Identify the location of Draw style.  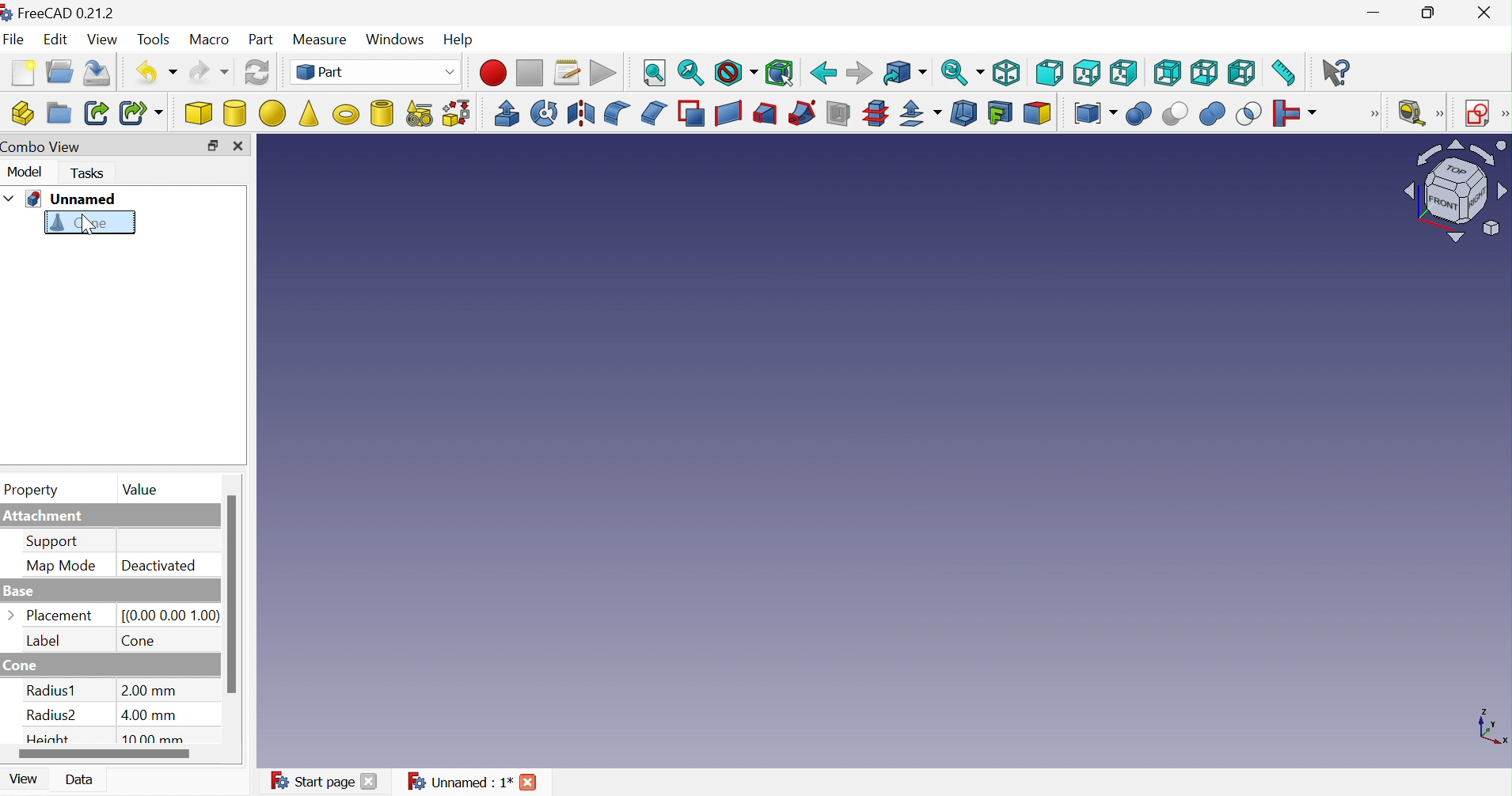
(735, 75).